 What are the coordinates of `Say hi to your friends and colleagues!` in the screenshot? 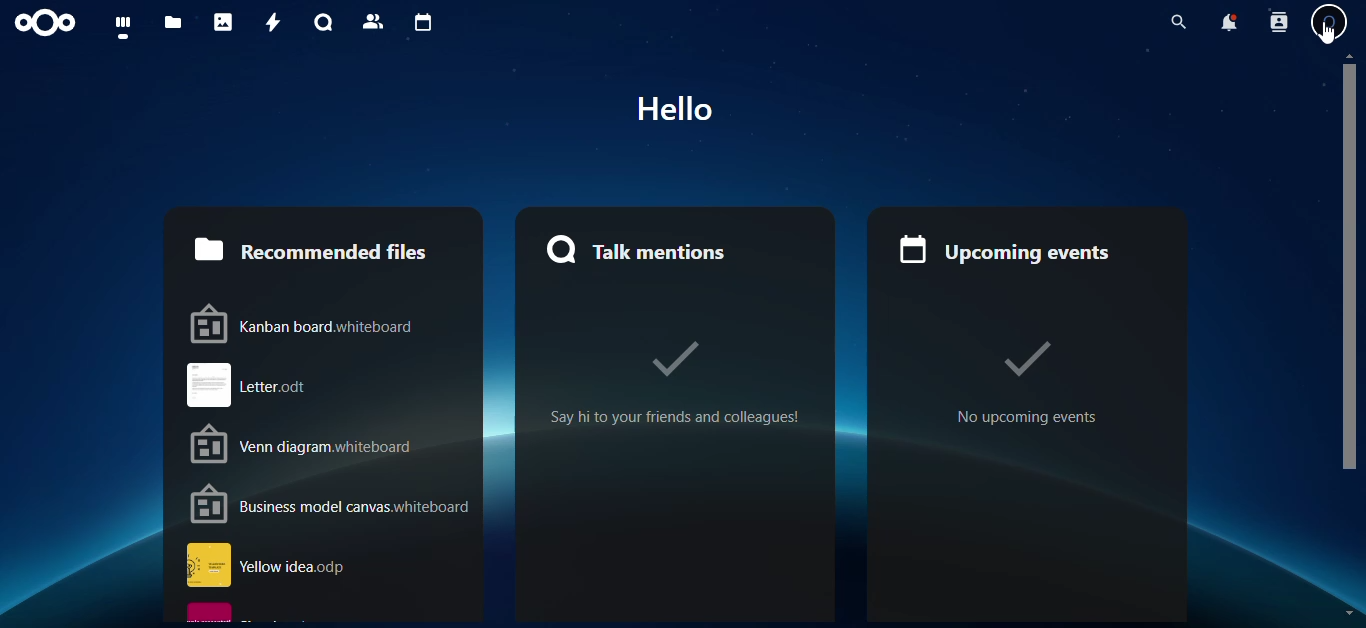 It's located at (674, 417).